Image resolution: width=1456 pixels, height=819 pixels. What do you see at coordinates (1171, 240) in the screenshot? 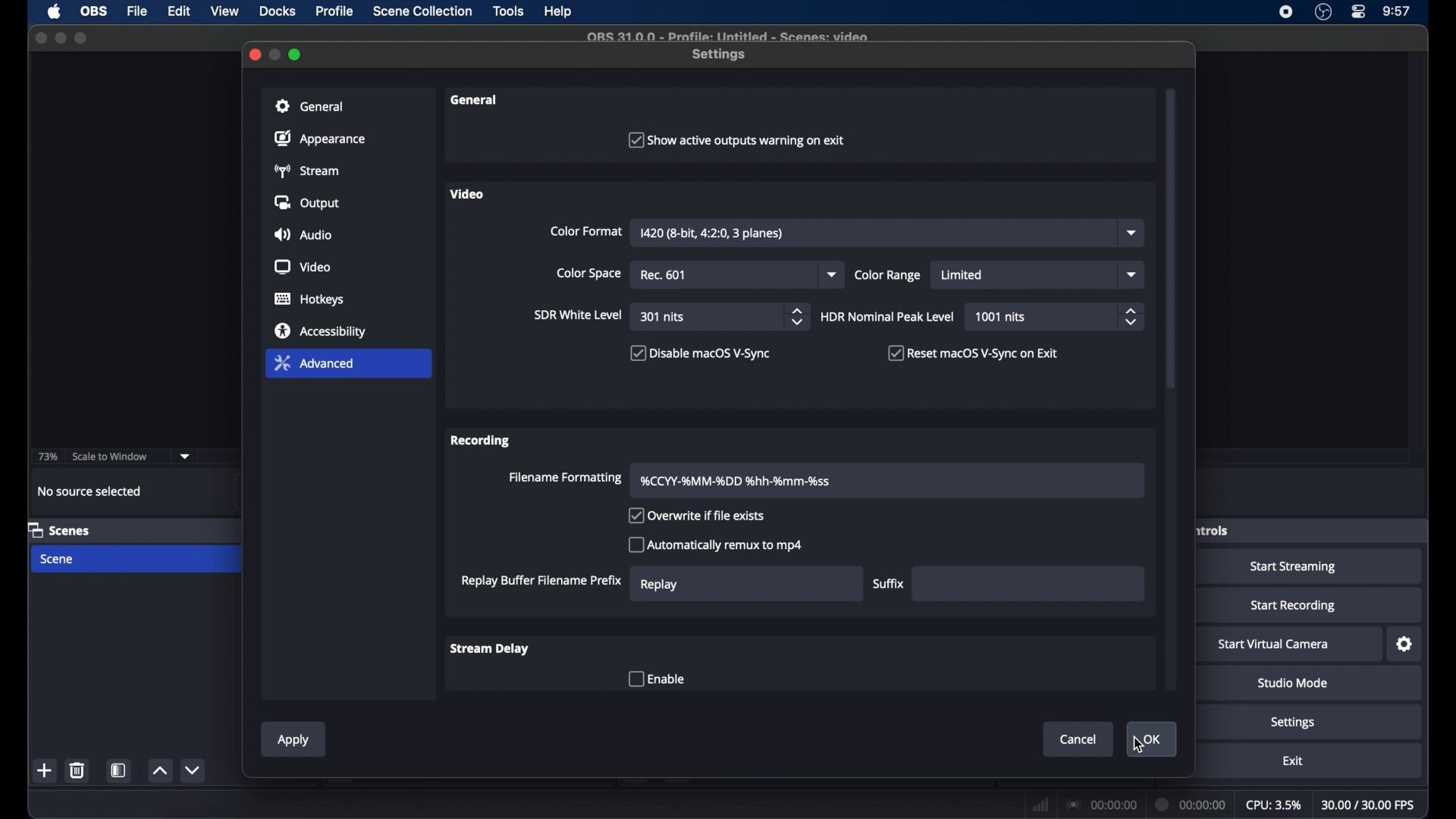
I see `scroll box` at bounding box center [1171, 240].